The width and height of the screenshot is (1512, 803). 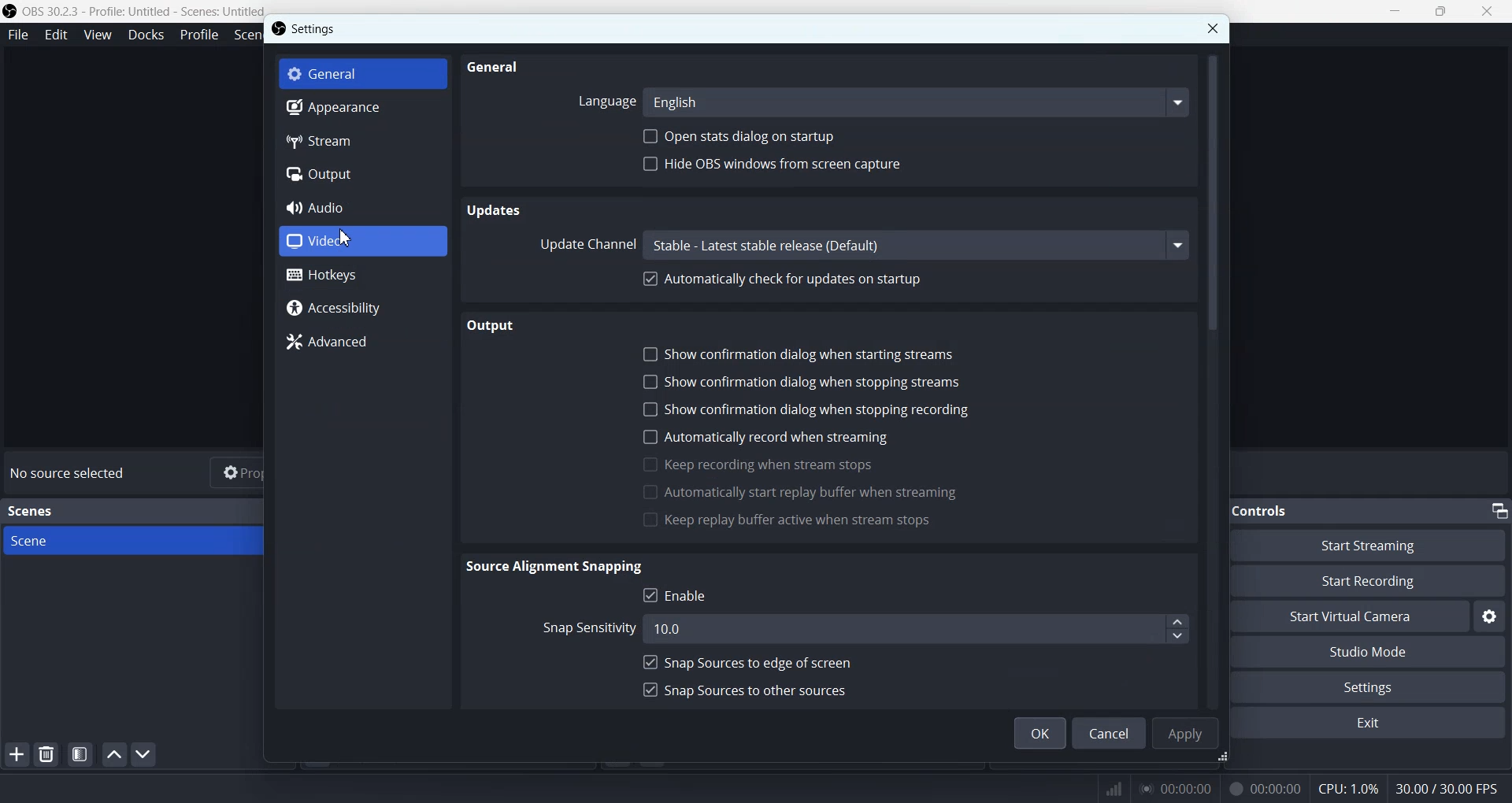 What do you see at coordinates (1262, 788) in the screenshot?
I see `recording time` at bounding box center [1262, 788].